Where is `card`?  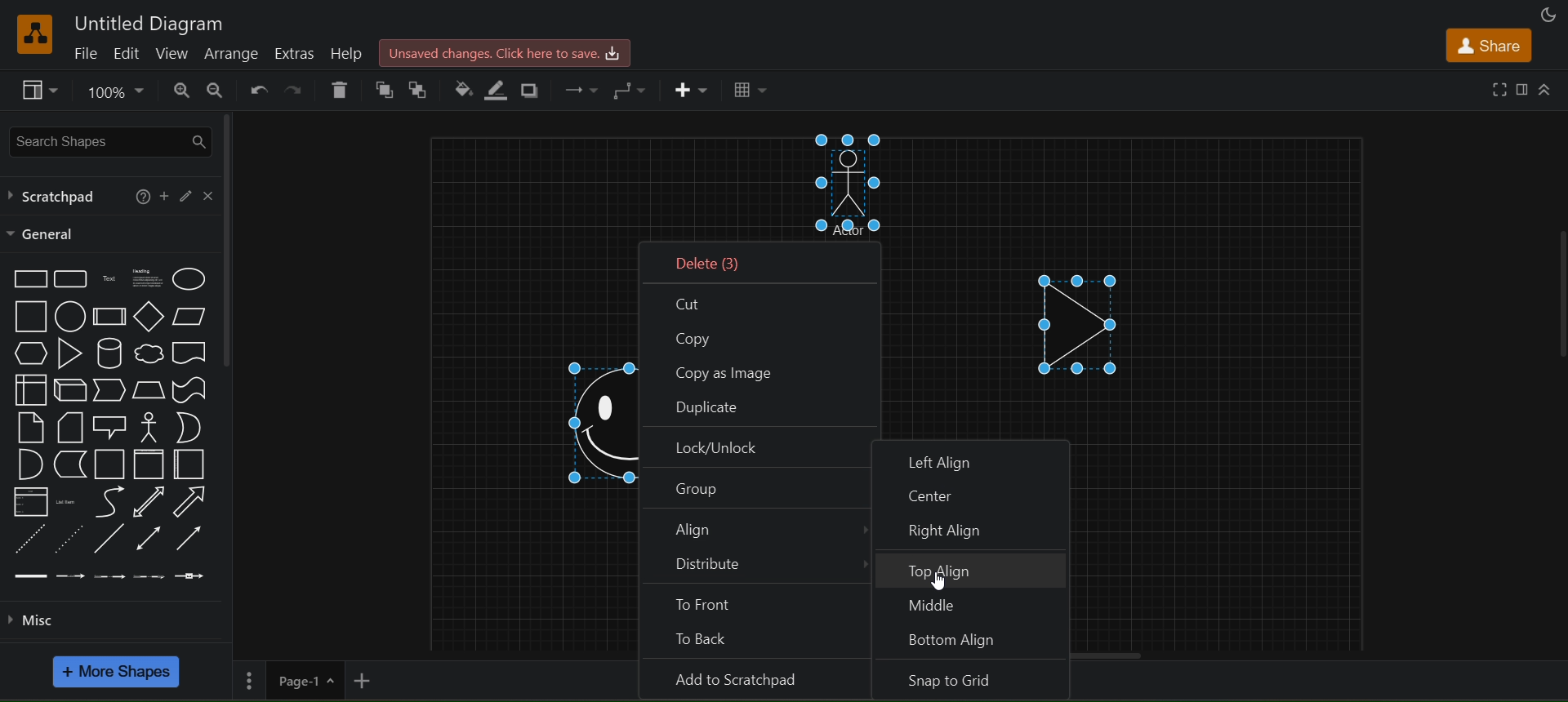 card is located at coordinates (66, 425).